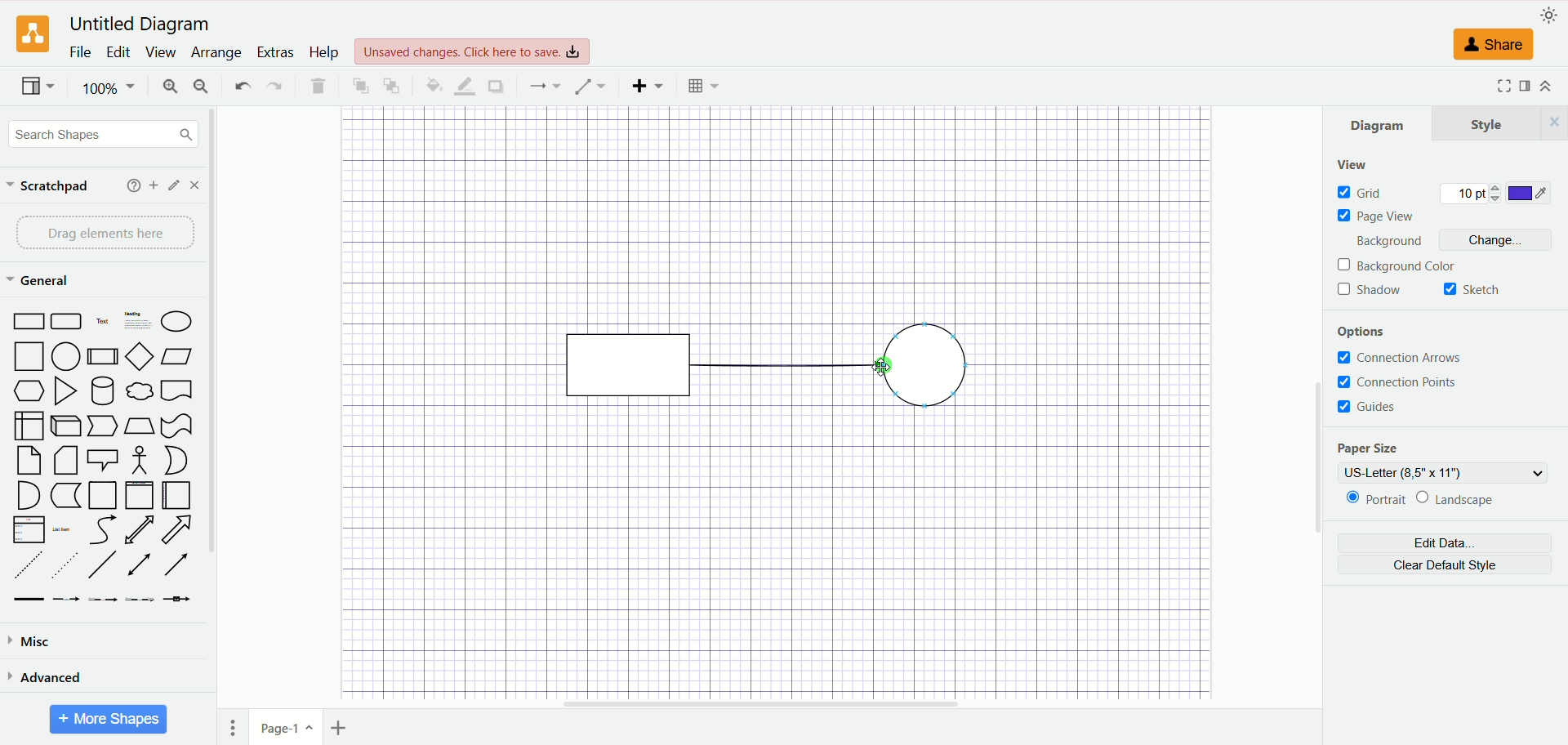  Describe the element at coordinates (781, 368) in the screenshot. I see `straight line connector` at that location.